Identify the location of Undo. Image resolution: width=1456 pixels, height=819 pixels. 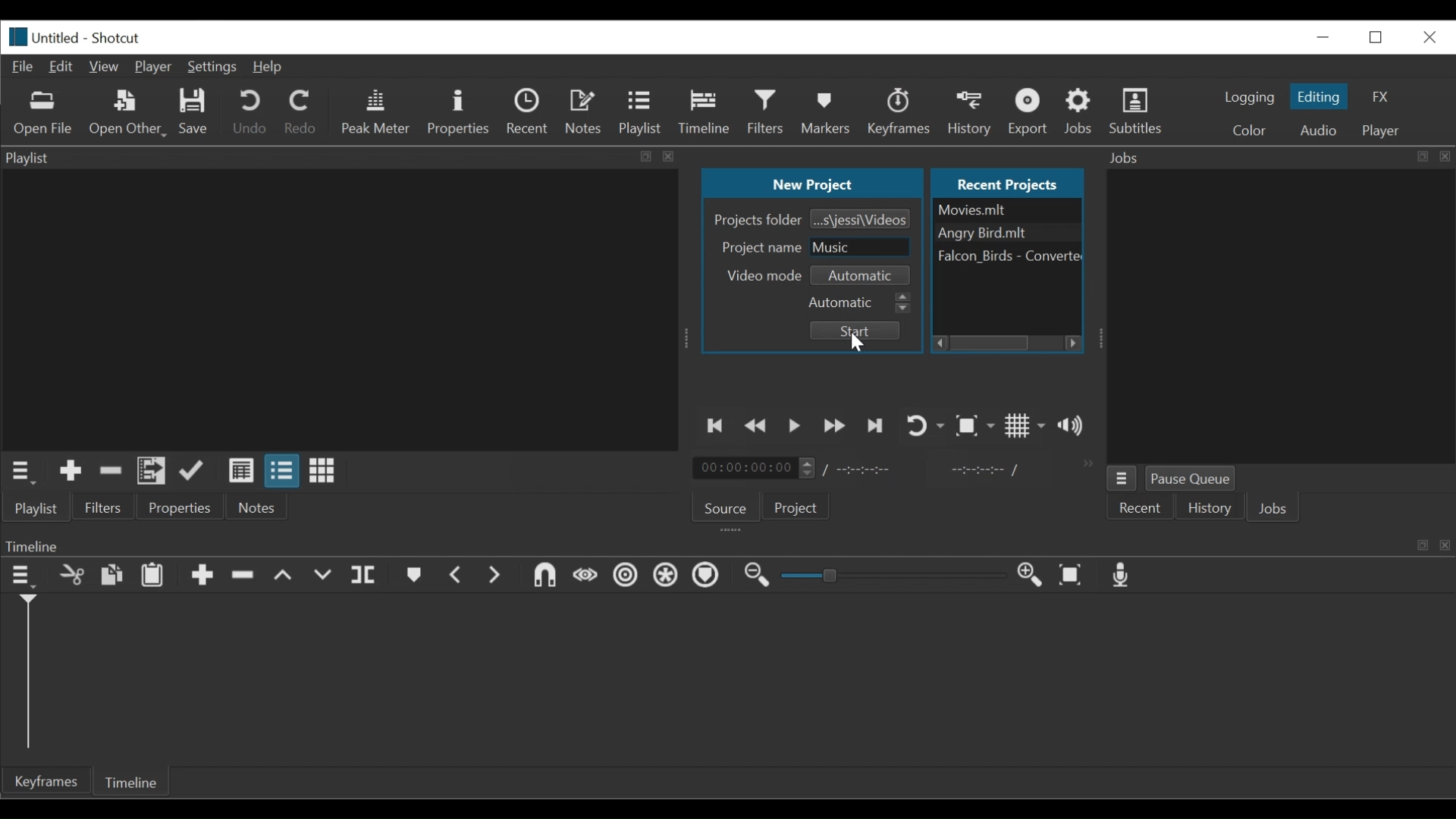
(252, 111).